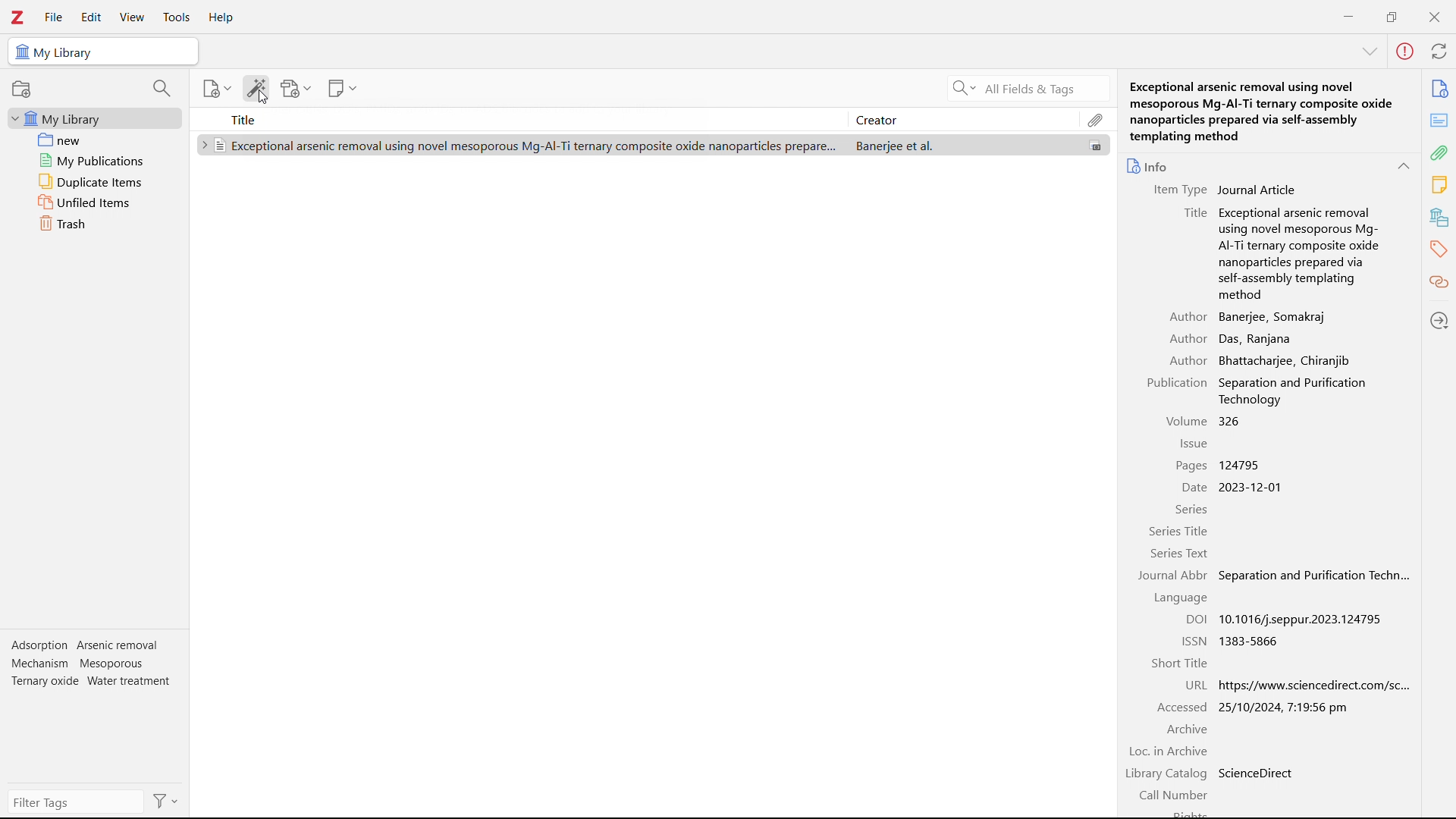  Describe the element at coordinates (1176, 796) in the screenshot. I see `Call number` at that location.